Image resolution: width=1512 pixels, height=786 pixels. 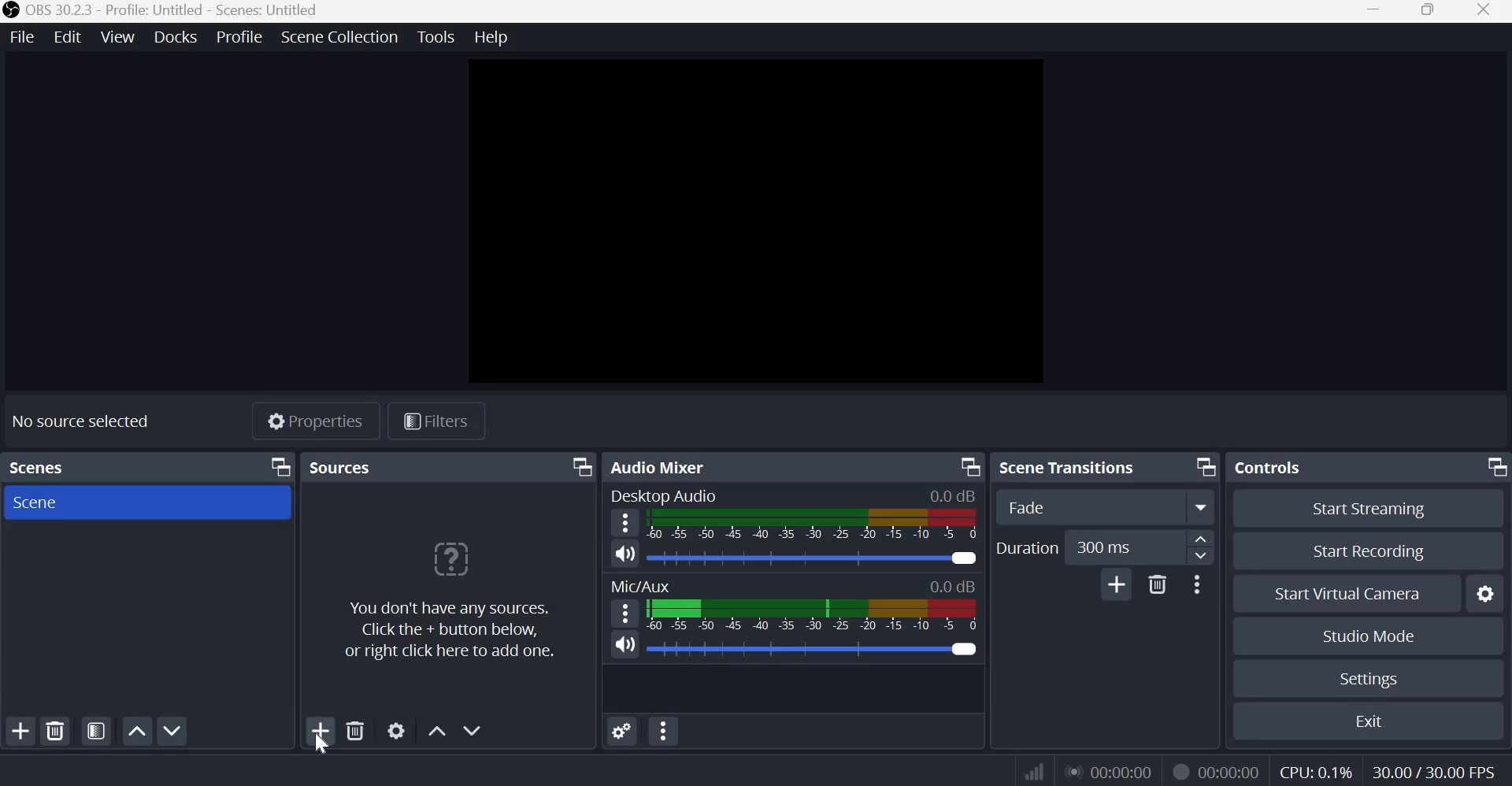 What do you see at coordinates (624, 645) in the screenshot?
I see `Speaker icon` at bounding box center [624, 645].